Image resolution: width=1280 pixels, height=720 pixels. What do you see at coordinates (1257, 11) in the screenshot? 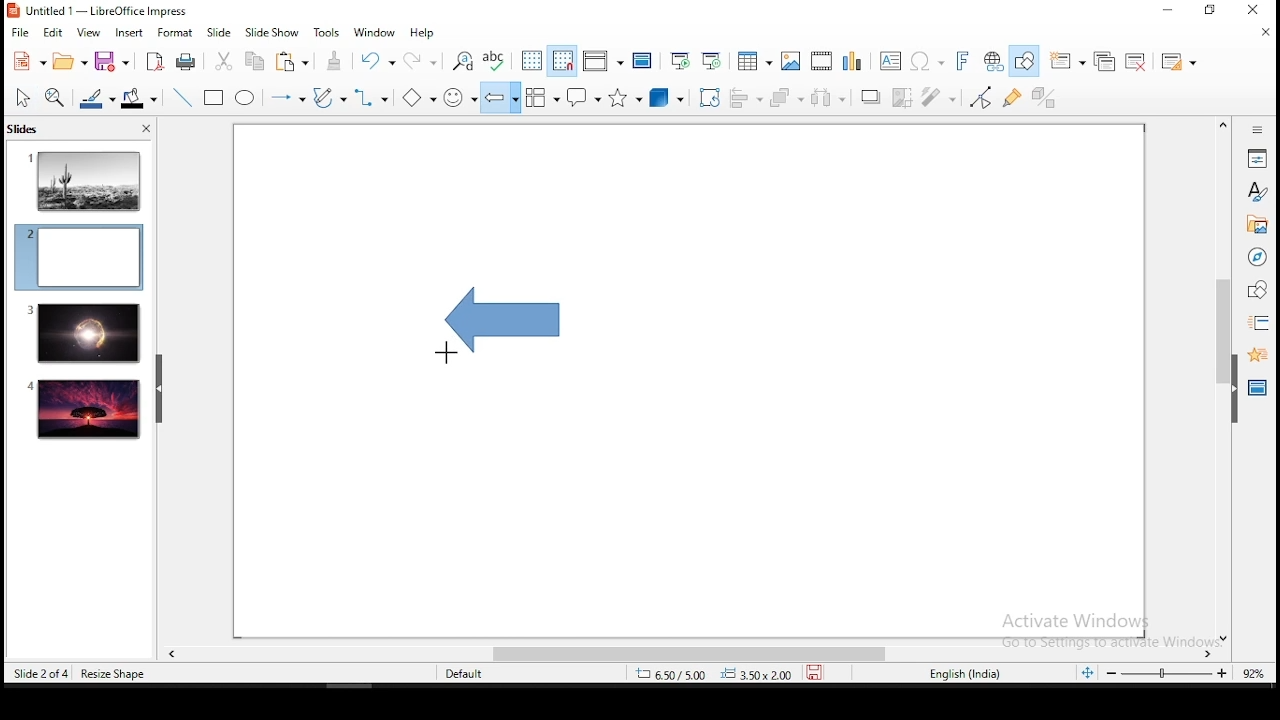
I see `close window` at bounding box center [1257, 11].